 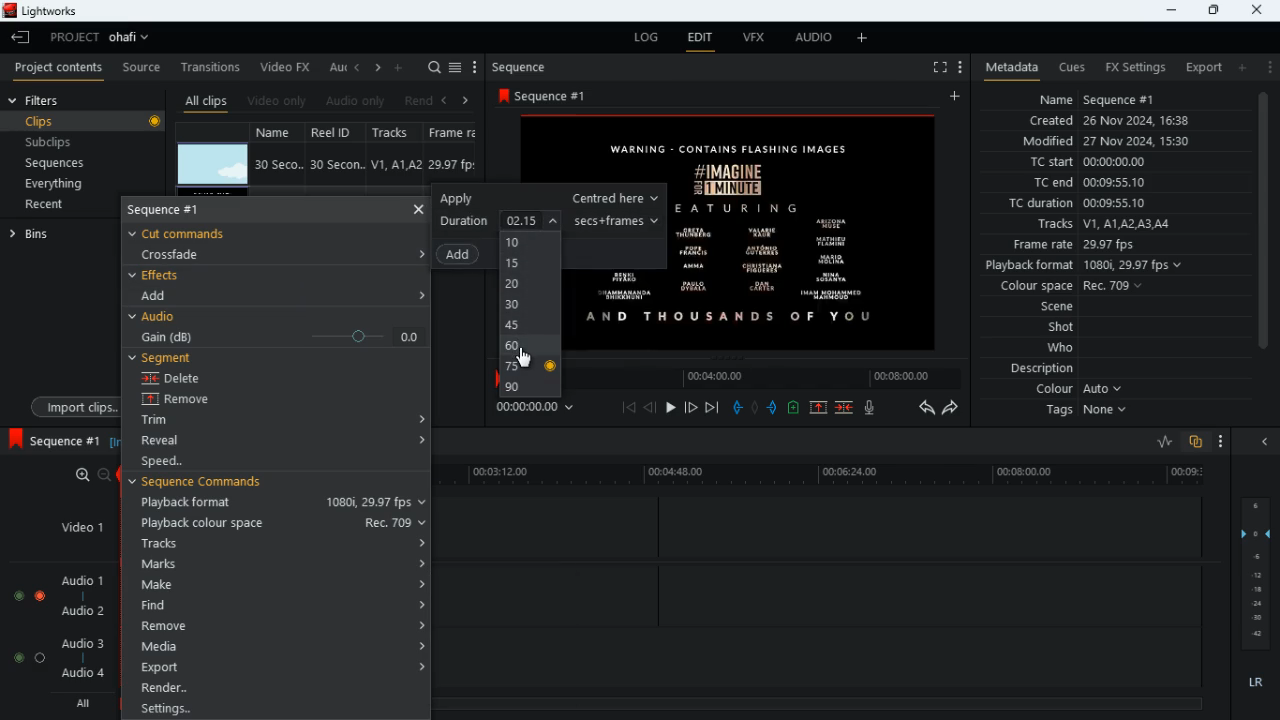 I want to click on sequence, so click(x=558, y=95).